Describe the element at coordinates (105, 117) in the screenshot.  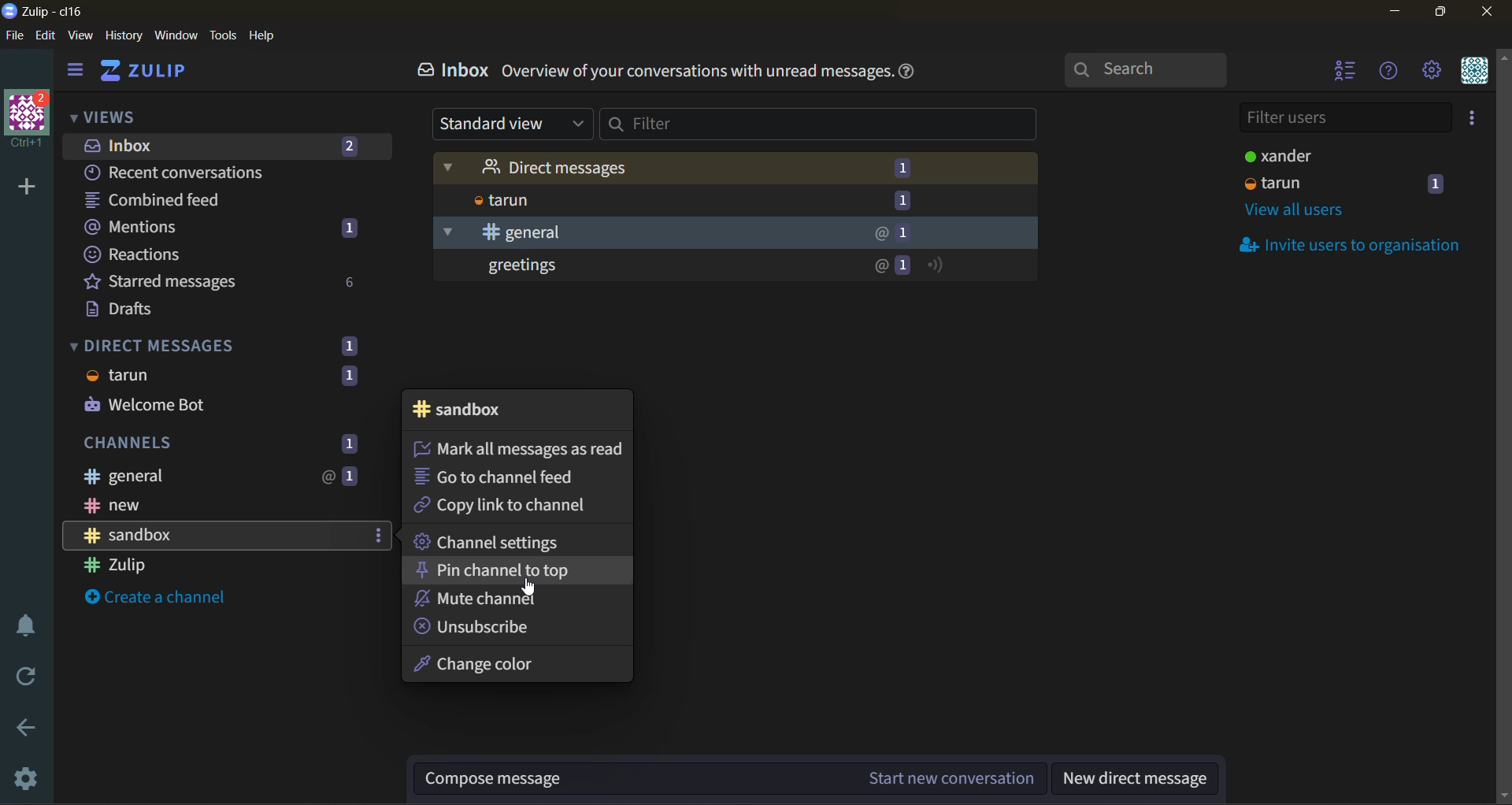
I see `views` at that location.